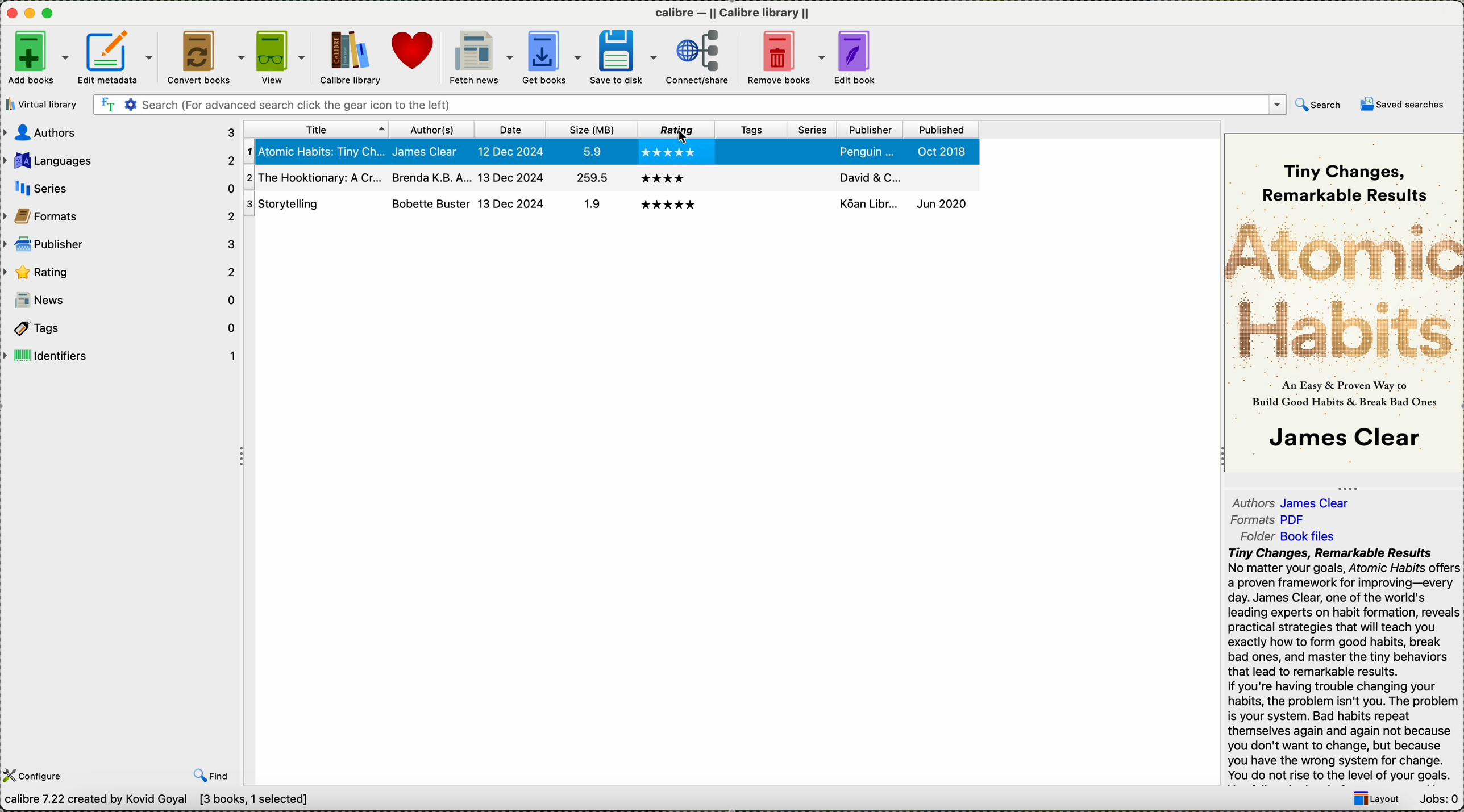 The height and width of the screenshot is (812, 1464). What do you see at coordinates (117, 58) in the screenshot?
I see `edit metadata` at bounding box center [117, 58].